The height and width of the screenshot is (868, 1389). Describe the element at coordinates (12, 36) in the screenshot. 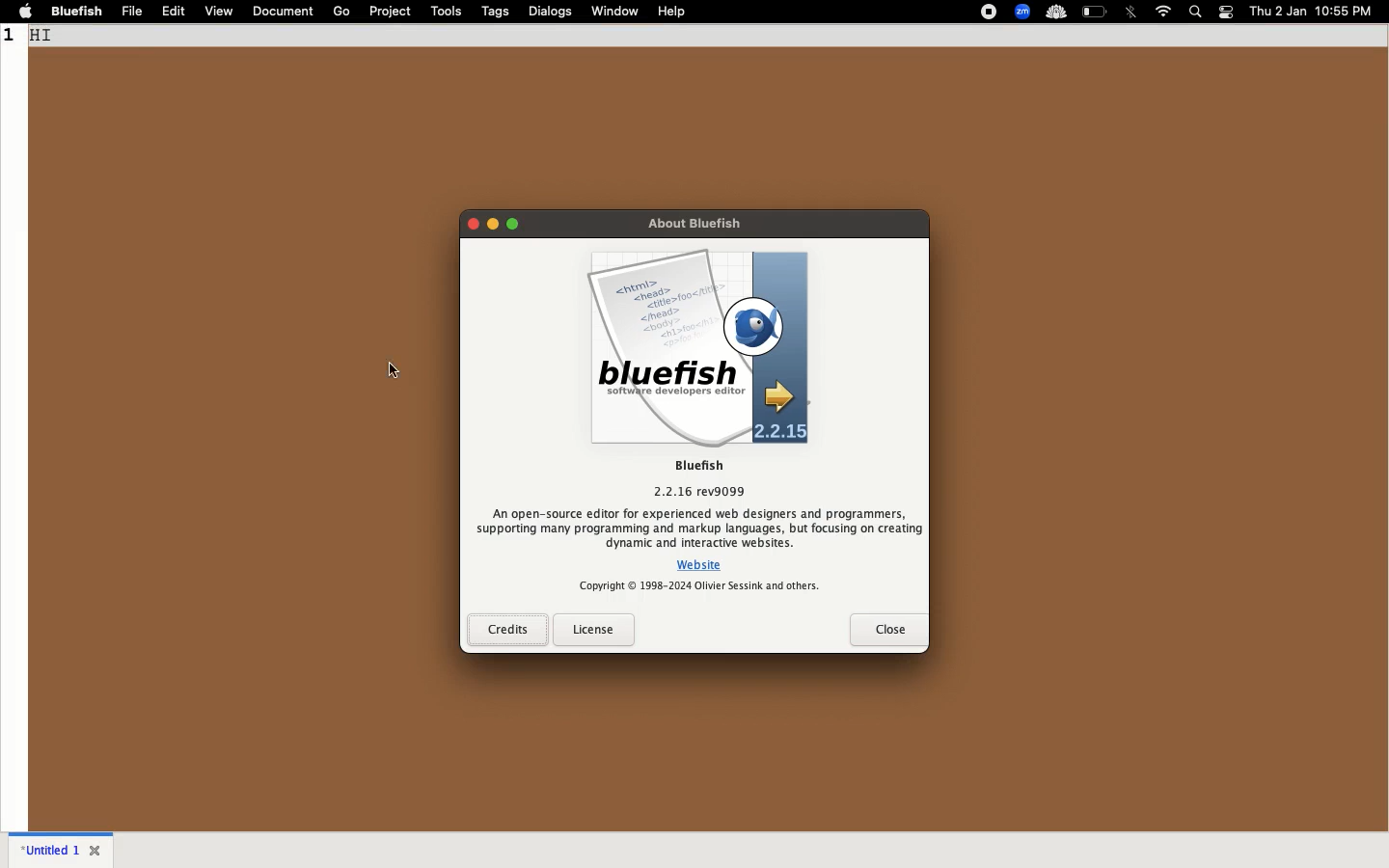

I see `line number` at that location.